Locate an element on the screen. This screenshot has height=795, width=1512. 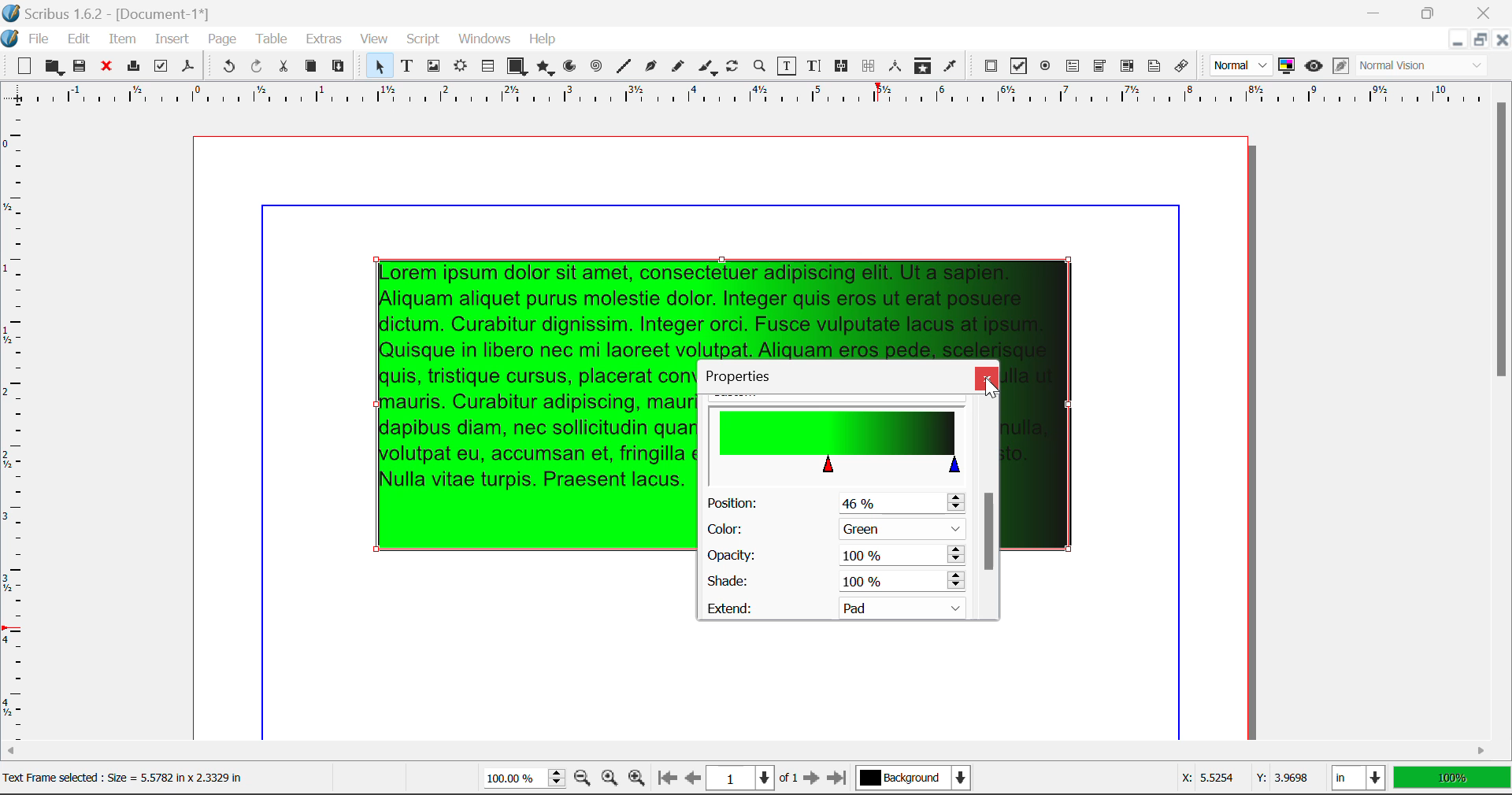
Bezier Curve is located at coordinates (651, 68).